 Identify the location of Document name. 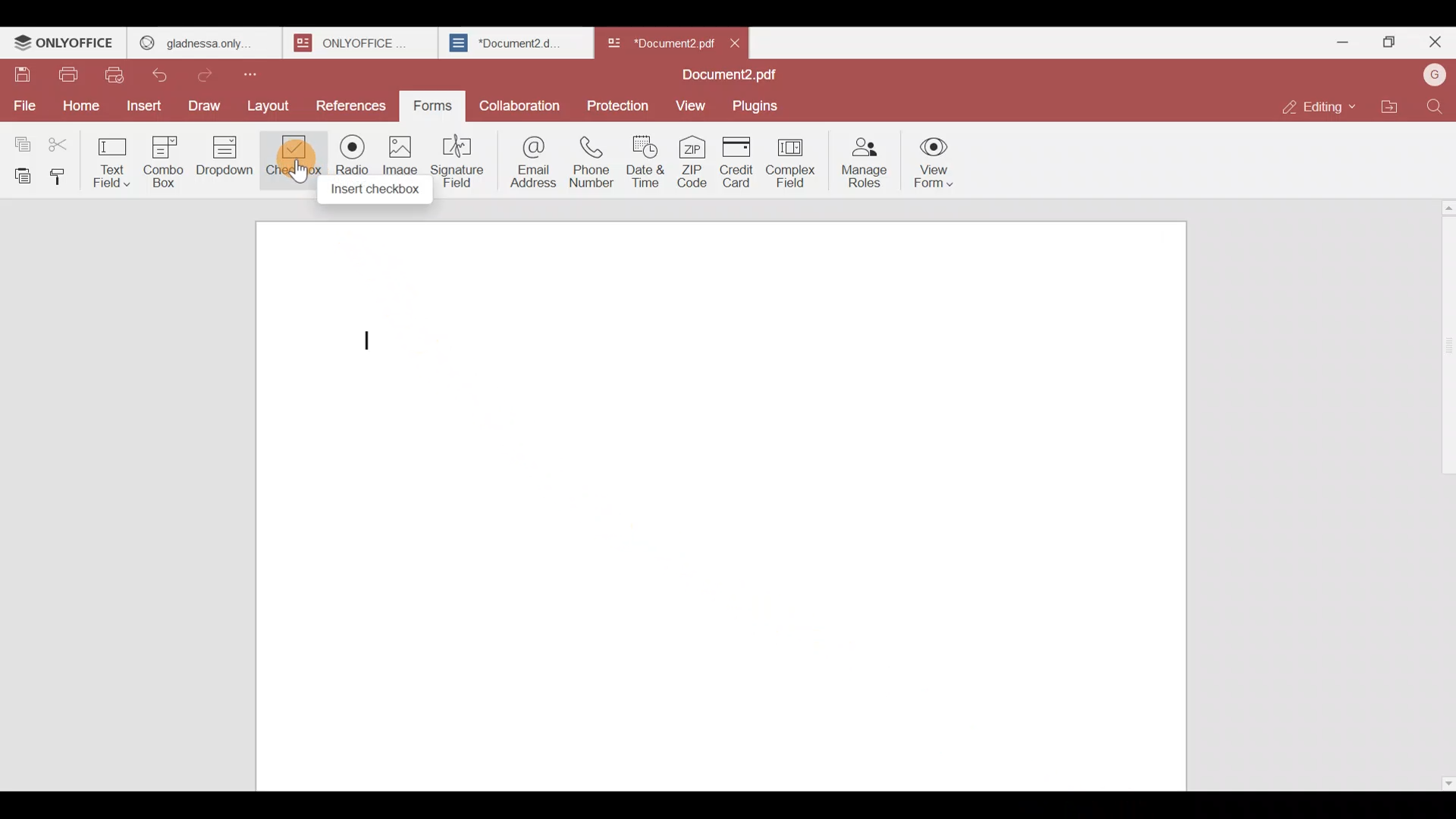
(659, 39).